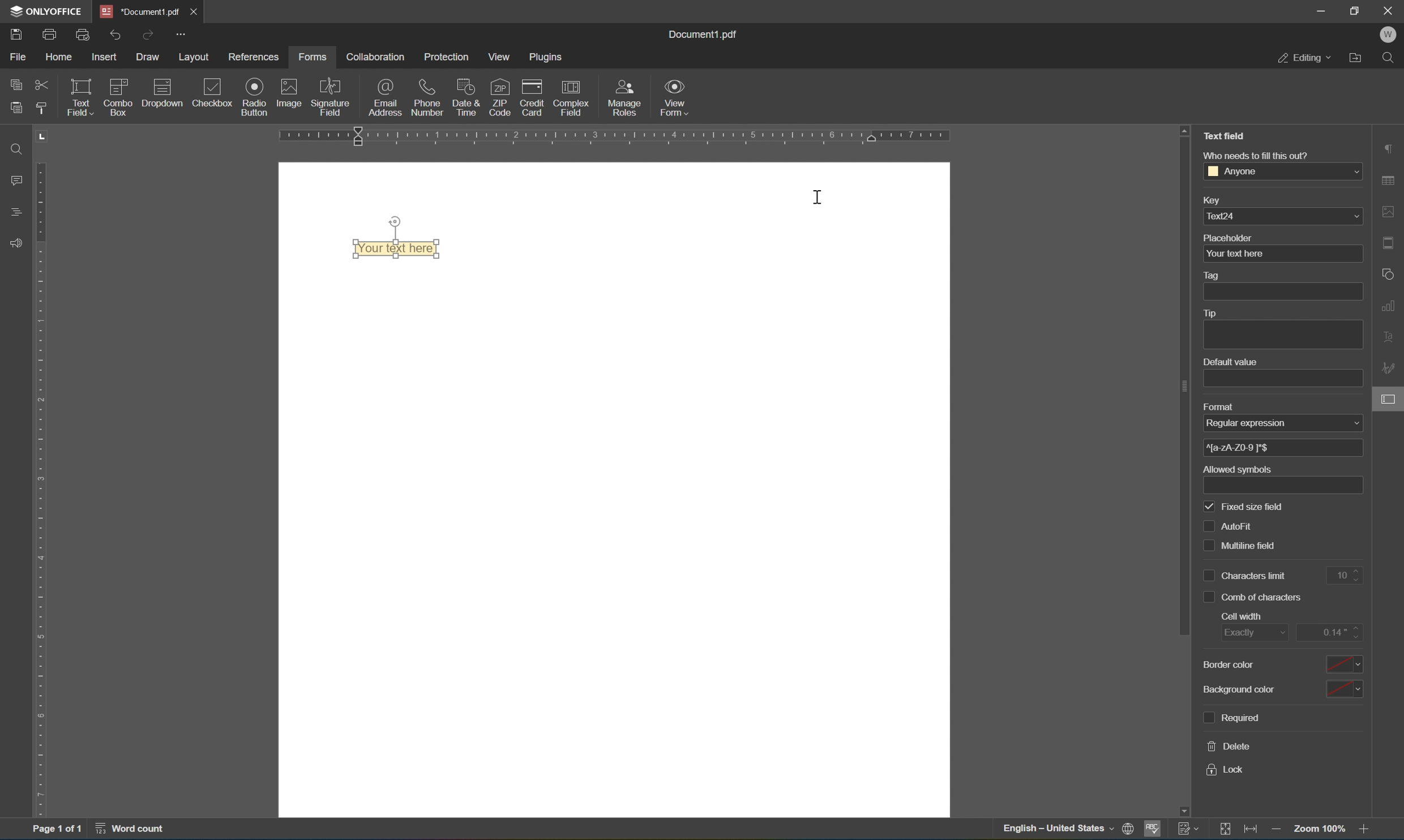 This screenshot has height=840, width=1404. I want to click on close, so click(192, 11).